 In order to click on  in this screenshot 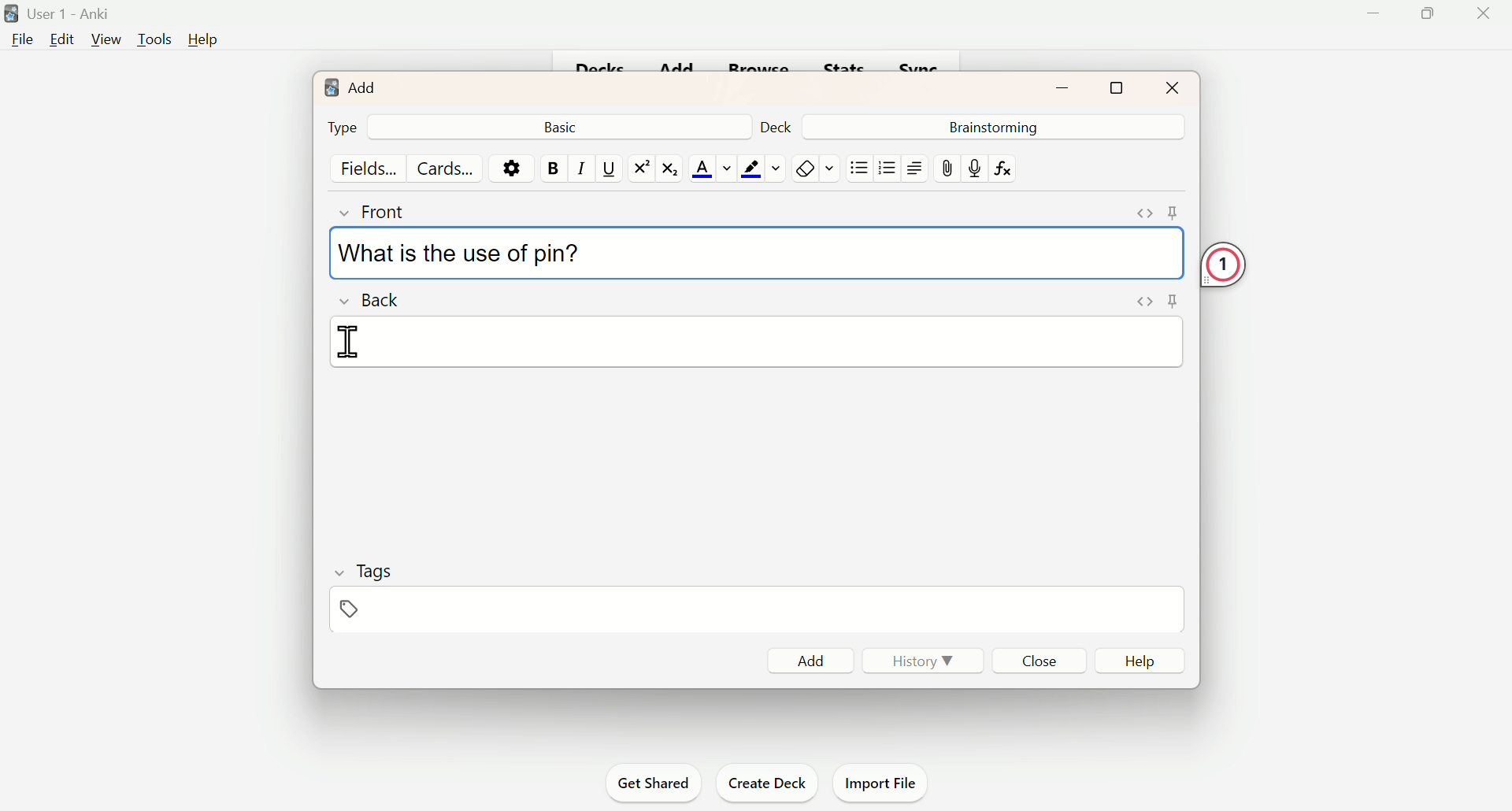, I will do `click(151, 36)`.